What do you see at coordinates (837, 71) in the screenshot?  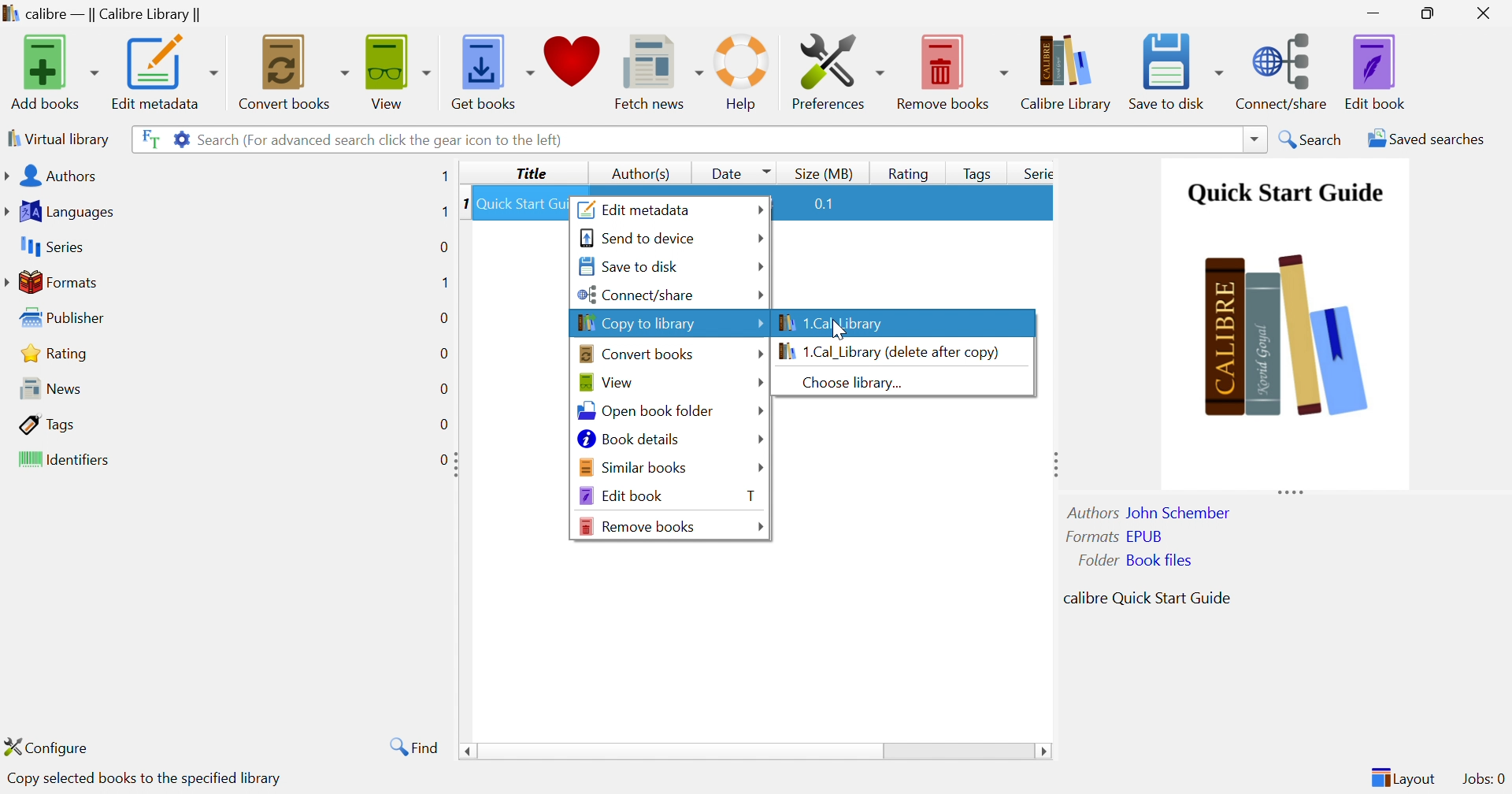 I see `Preferences` at bounding box center [837, 71].